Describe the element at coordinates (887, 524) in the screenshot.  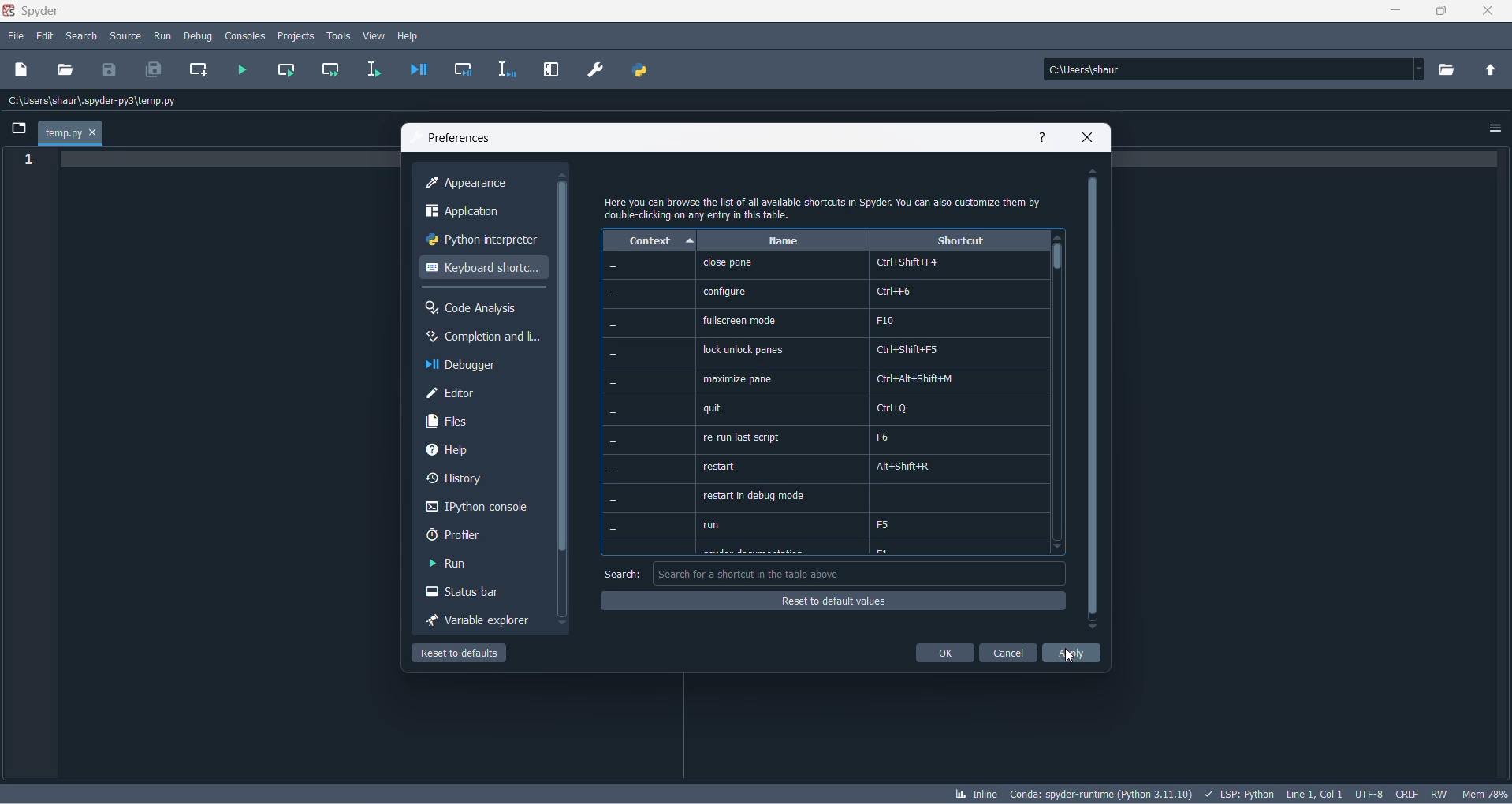
I see `F5` at that location.